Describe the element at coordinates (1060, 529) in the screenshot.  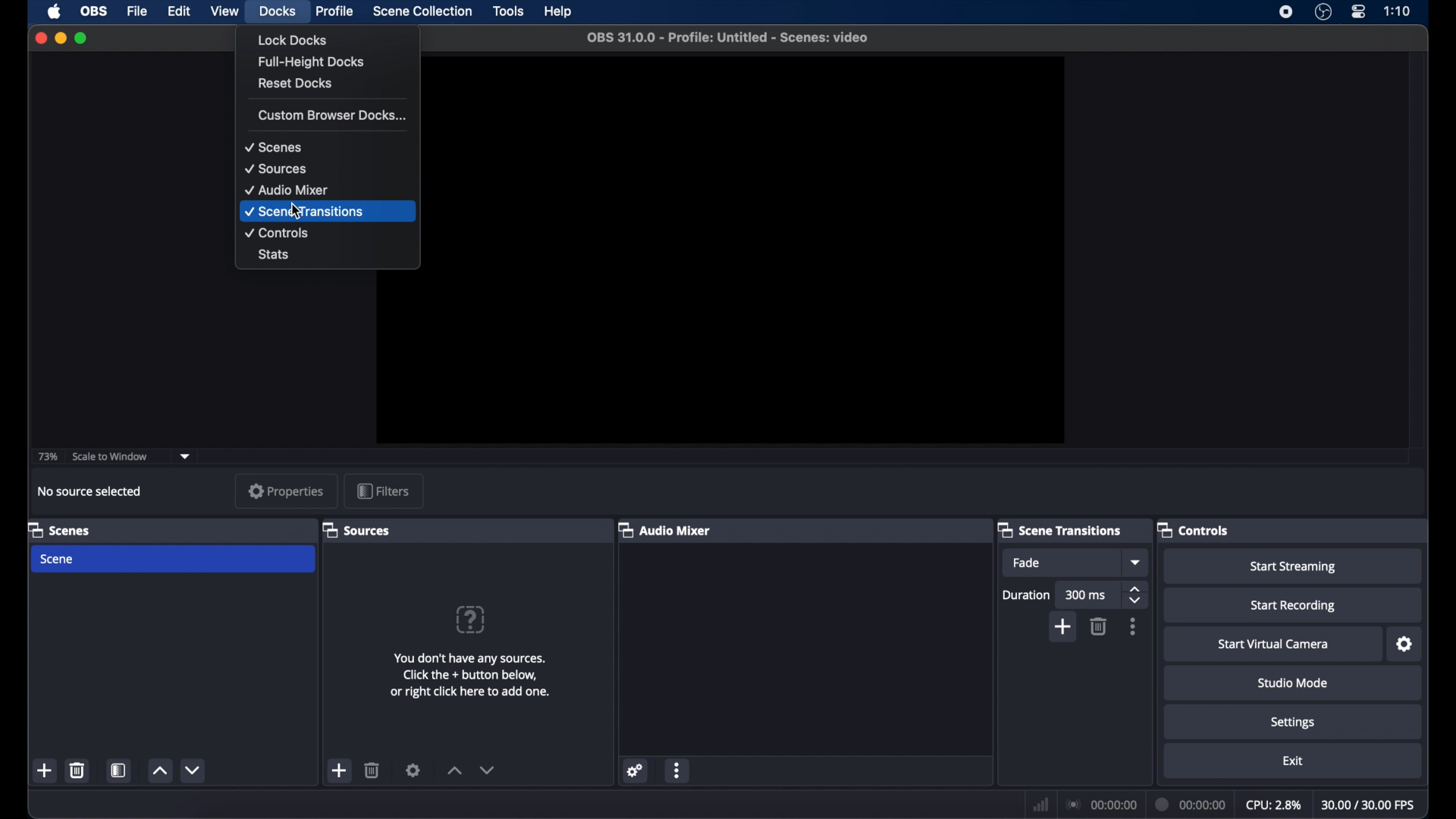
I see `scene transitions` at that location.